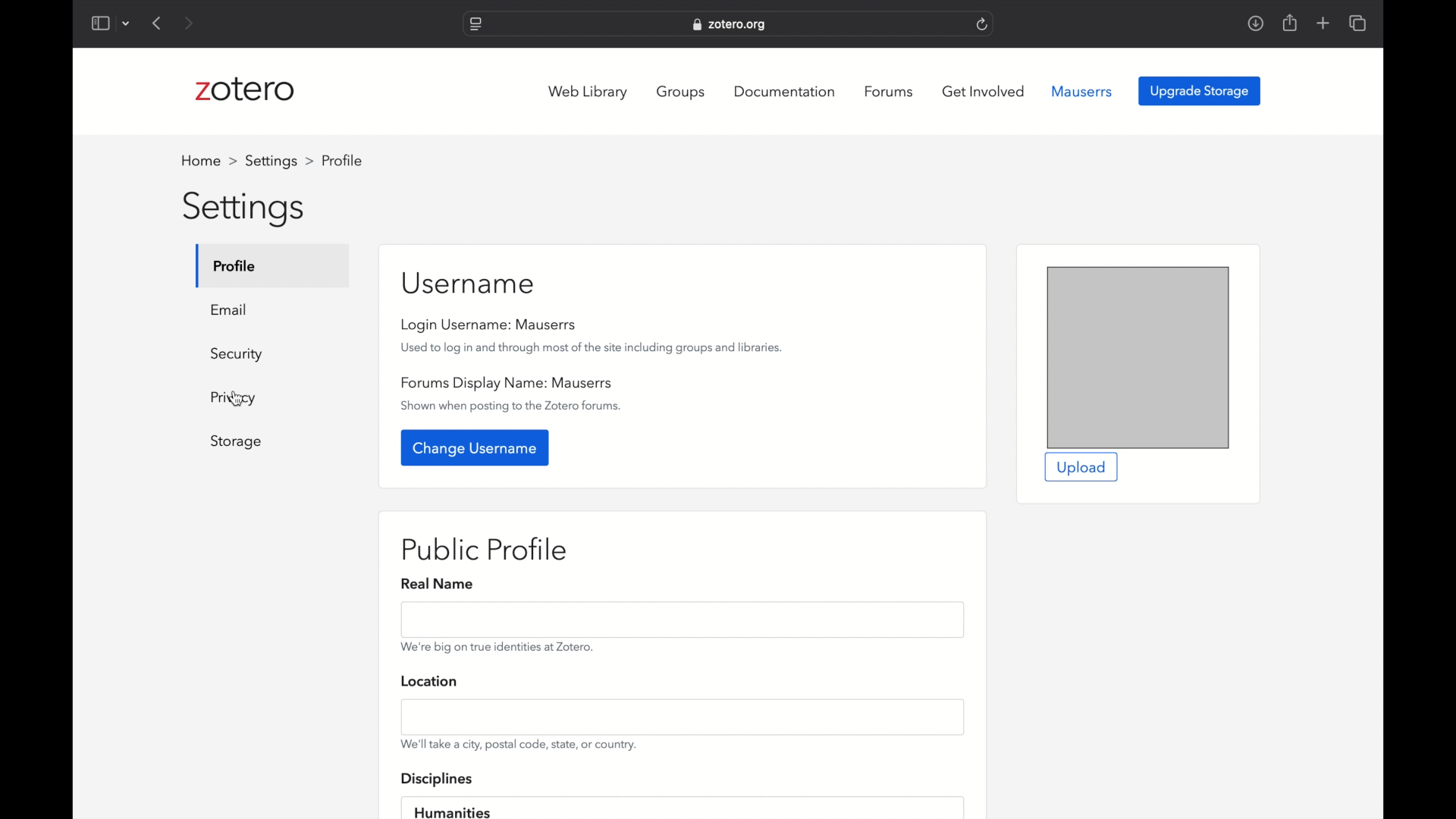  Describe the element at coordinates (731, 24) in the screenshot. I see `web address` at that location.